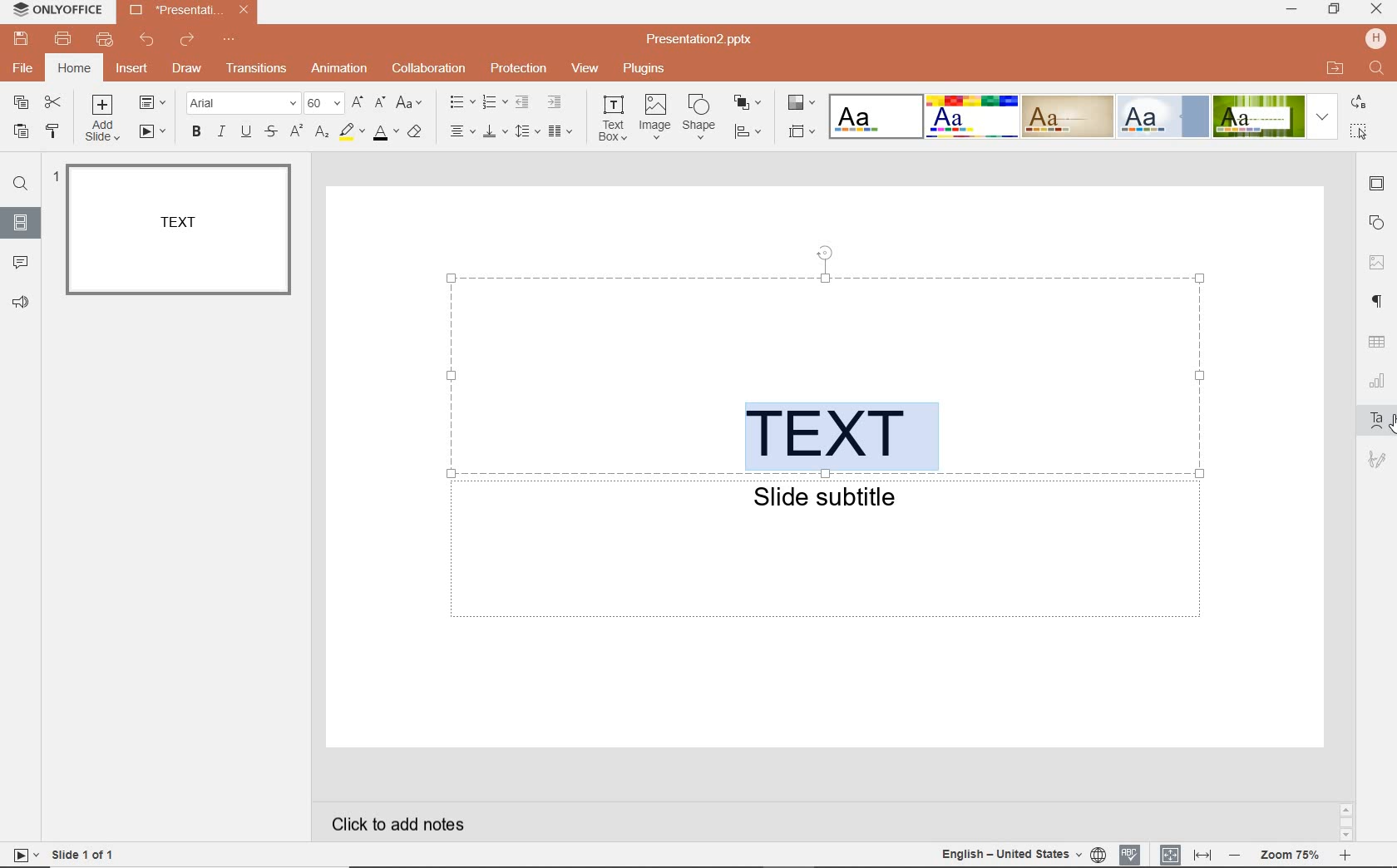 This screenshot has height=868, width=1397. What do you see at coordinates (17, 132) in the screenshot?
I see `PASTE` at bounding box center [17, 132].